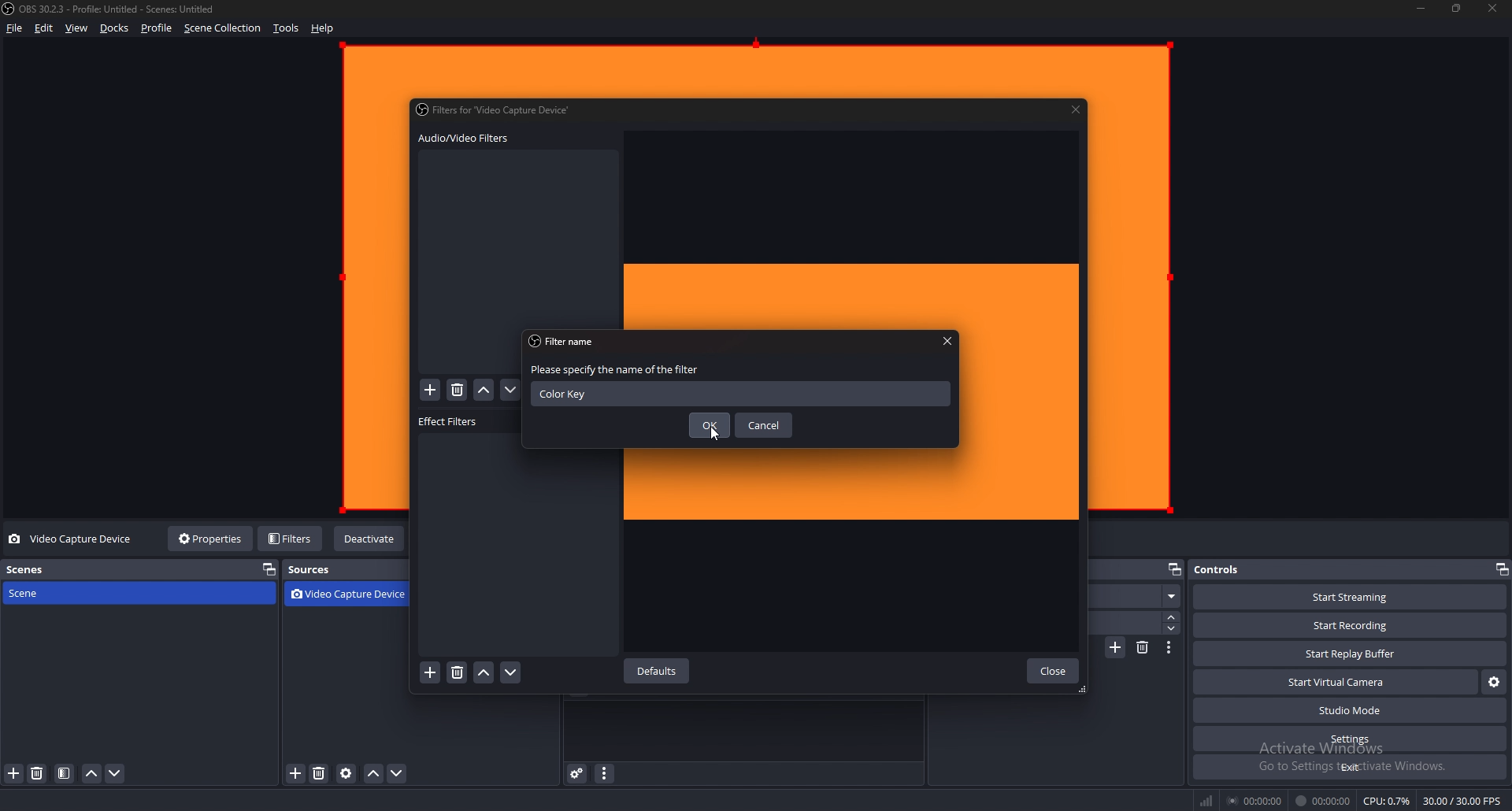  What do you see at coordinates (1168, 647) in the screenshot?
I see `transition properties` at bounding box center [1168, 647].